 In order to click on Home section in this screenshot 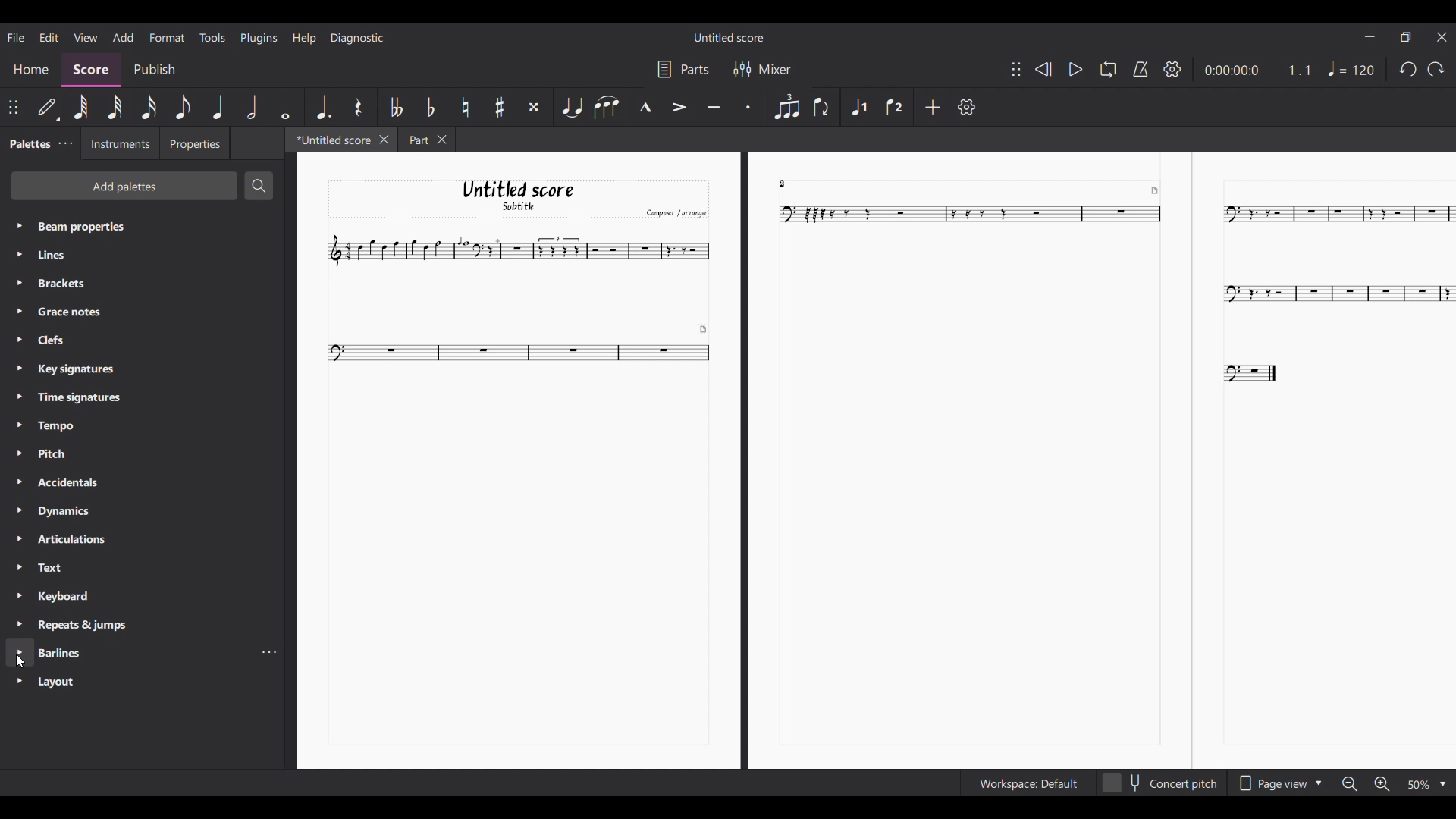, I will do `click(30, 70)`.